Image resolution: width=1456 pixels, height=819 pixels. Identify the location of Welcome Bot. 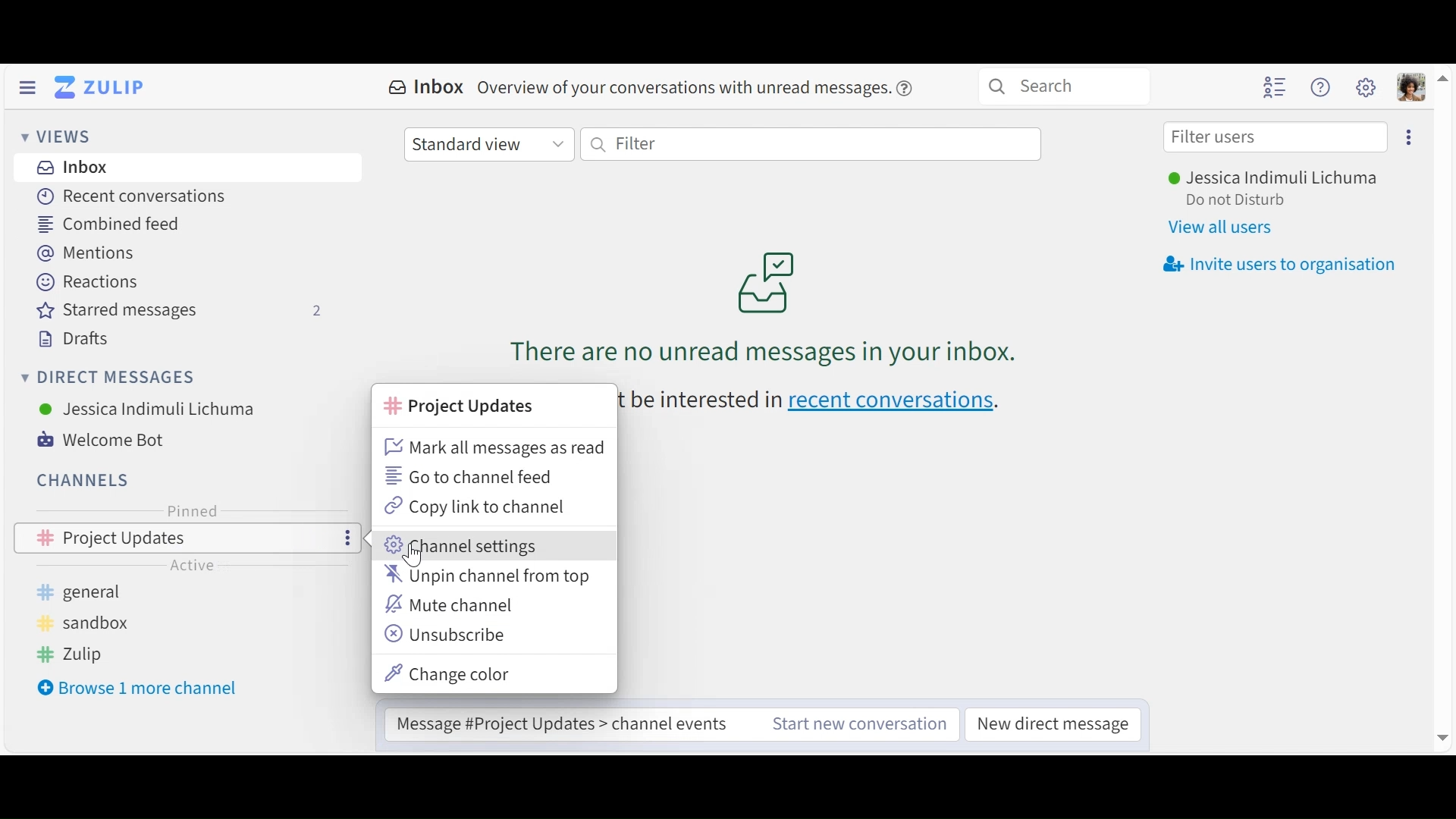
(112, 440).